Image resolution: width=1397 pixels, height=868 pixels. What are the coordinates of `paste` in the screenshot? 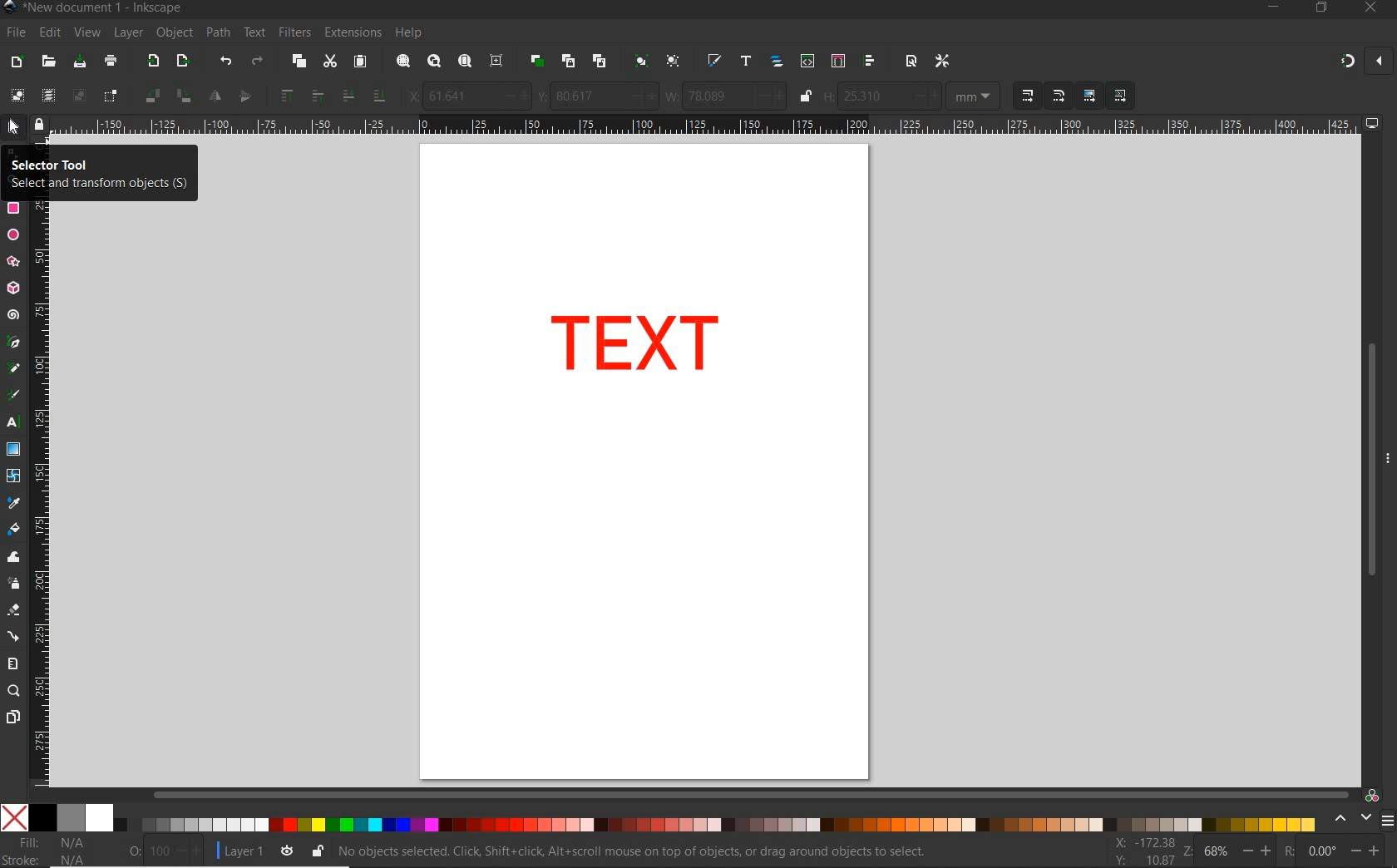 It's located at (359, 62).